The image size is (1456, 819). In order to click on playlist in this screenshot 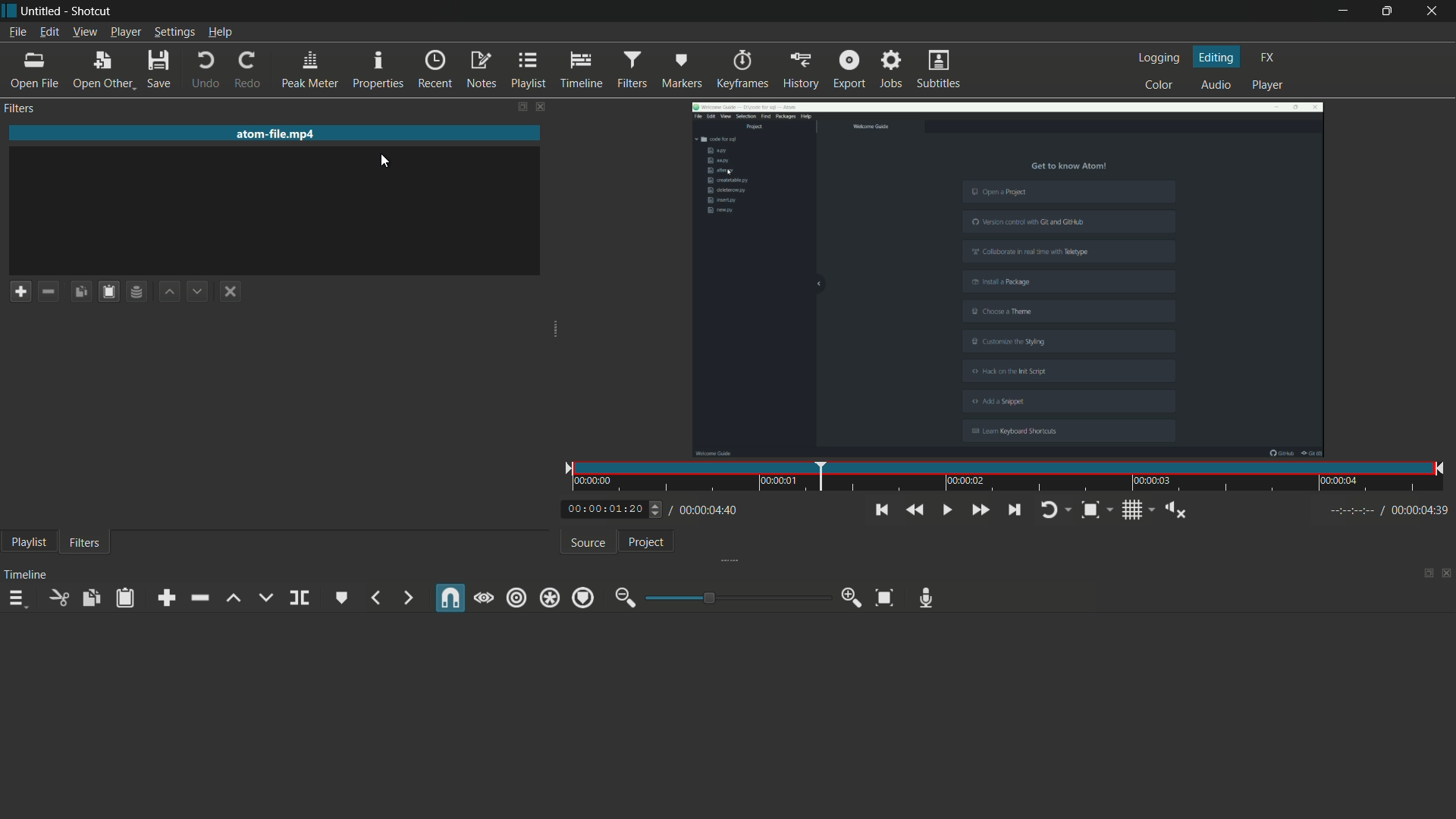, I will do `click(26, 544)`.